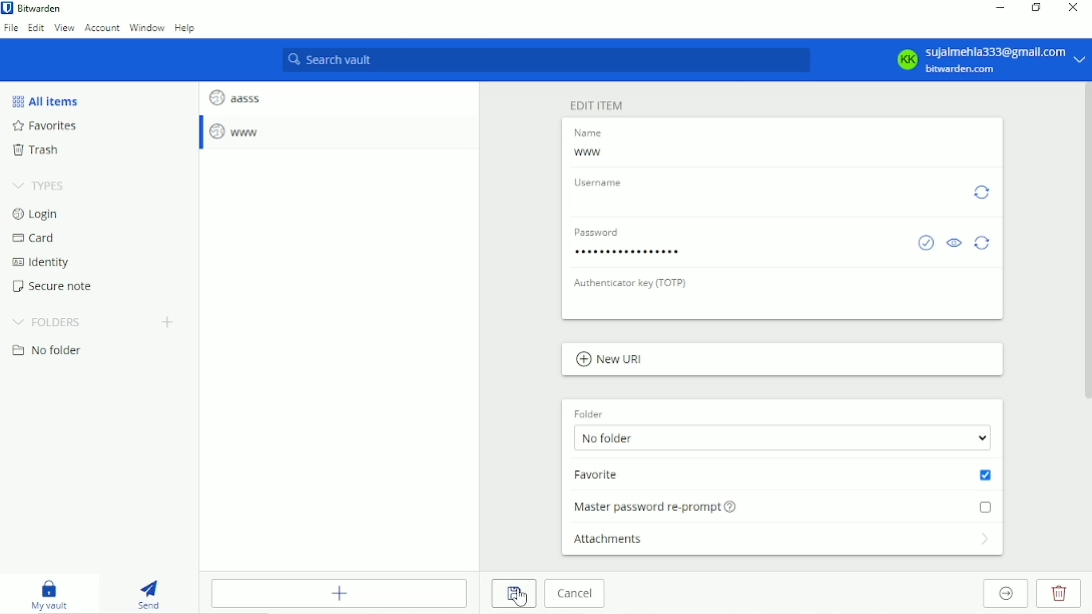 The image size is (1092, 614). What do you see at coordinates (49, 127) in the screenshot?
I see `Favorites` at bounding box center [49, 127].